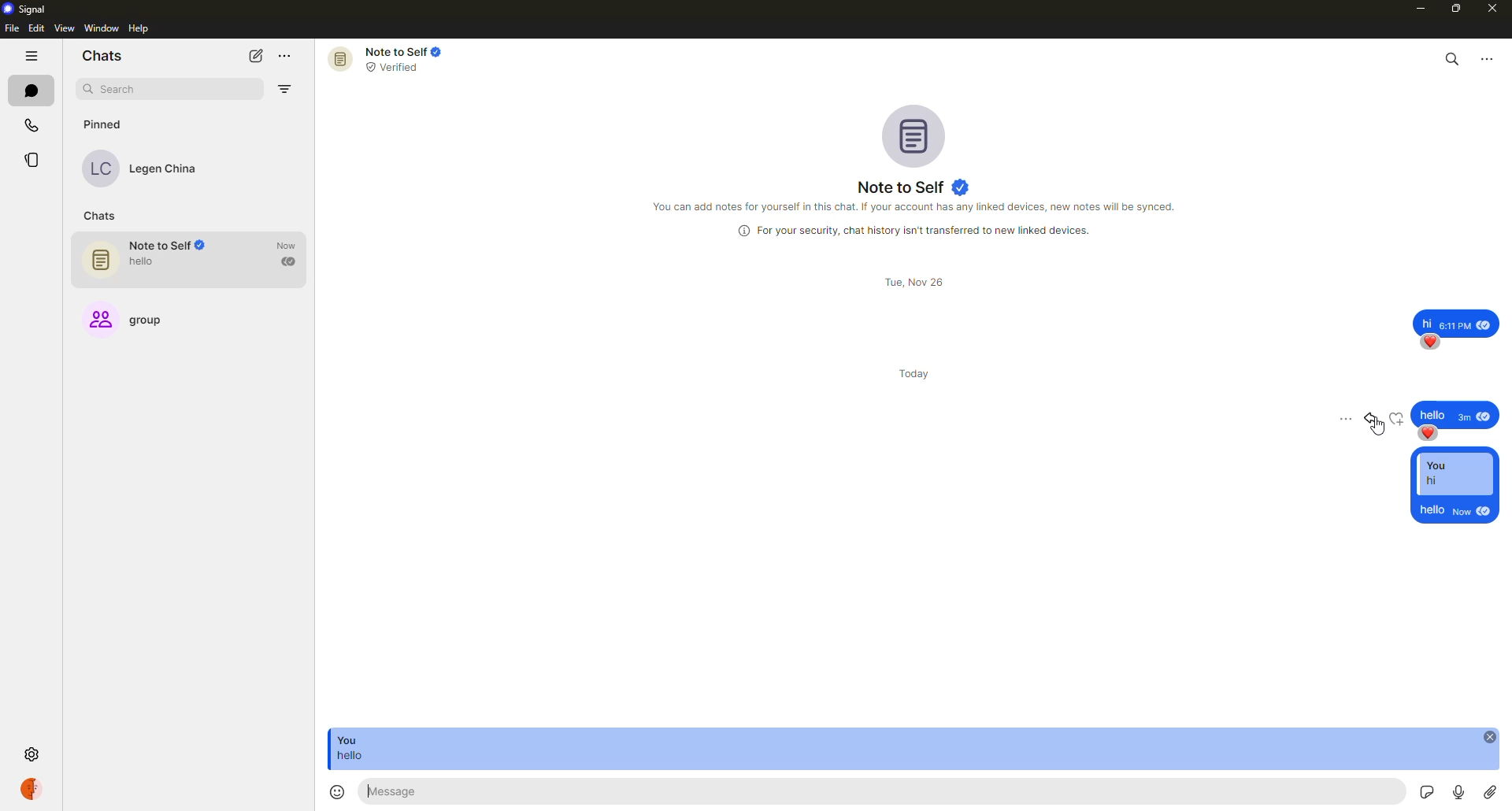  What do you see at coordinates (196, 261) in the screenshot?
I see `note to self` at bounding box center [196, 261].